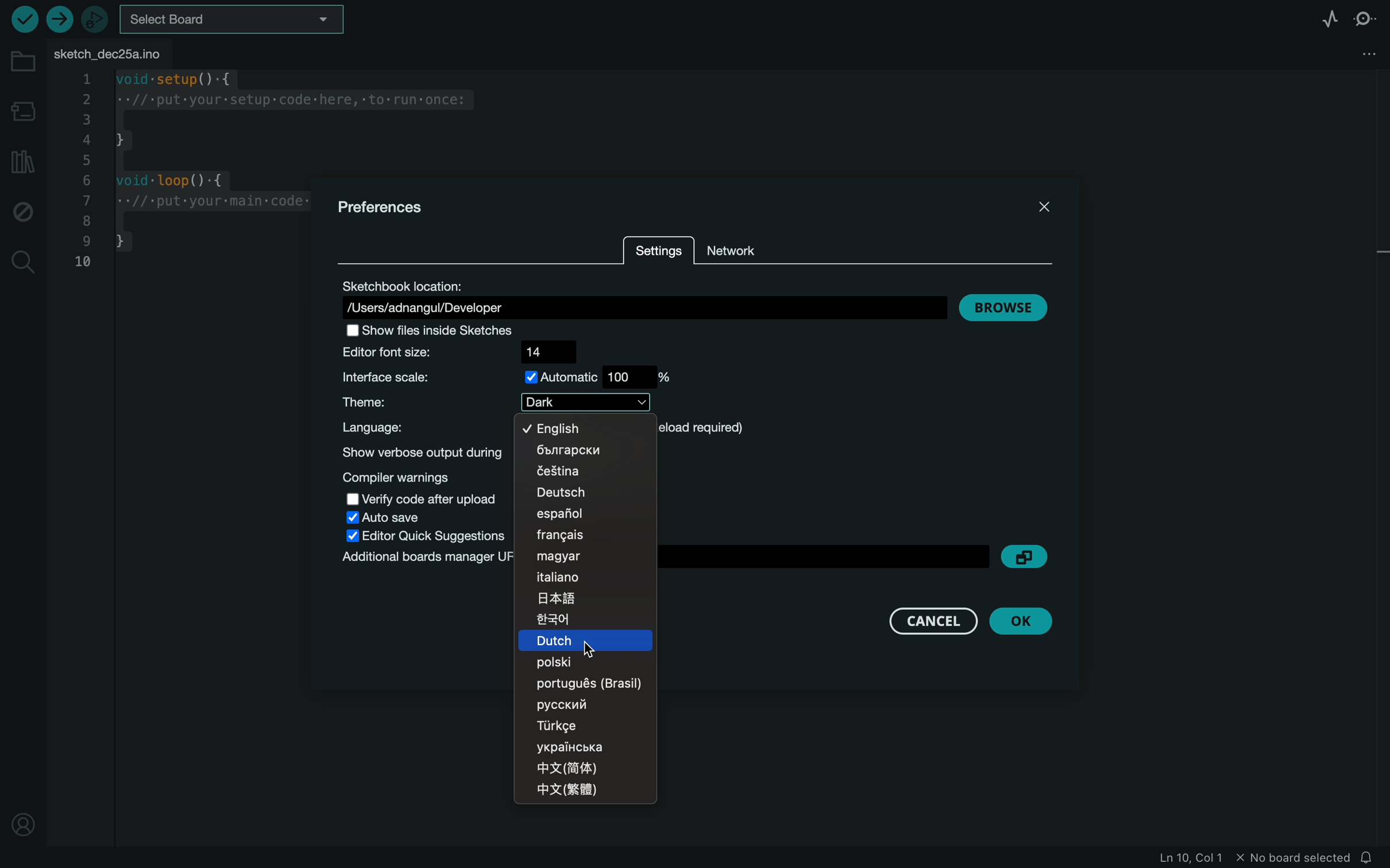  I want to click on notification, so click(1369, 858).